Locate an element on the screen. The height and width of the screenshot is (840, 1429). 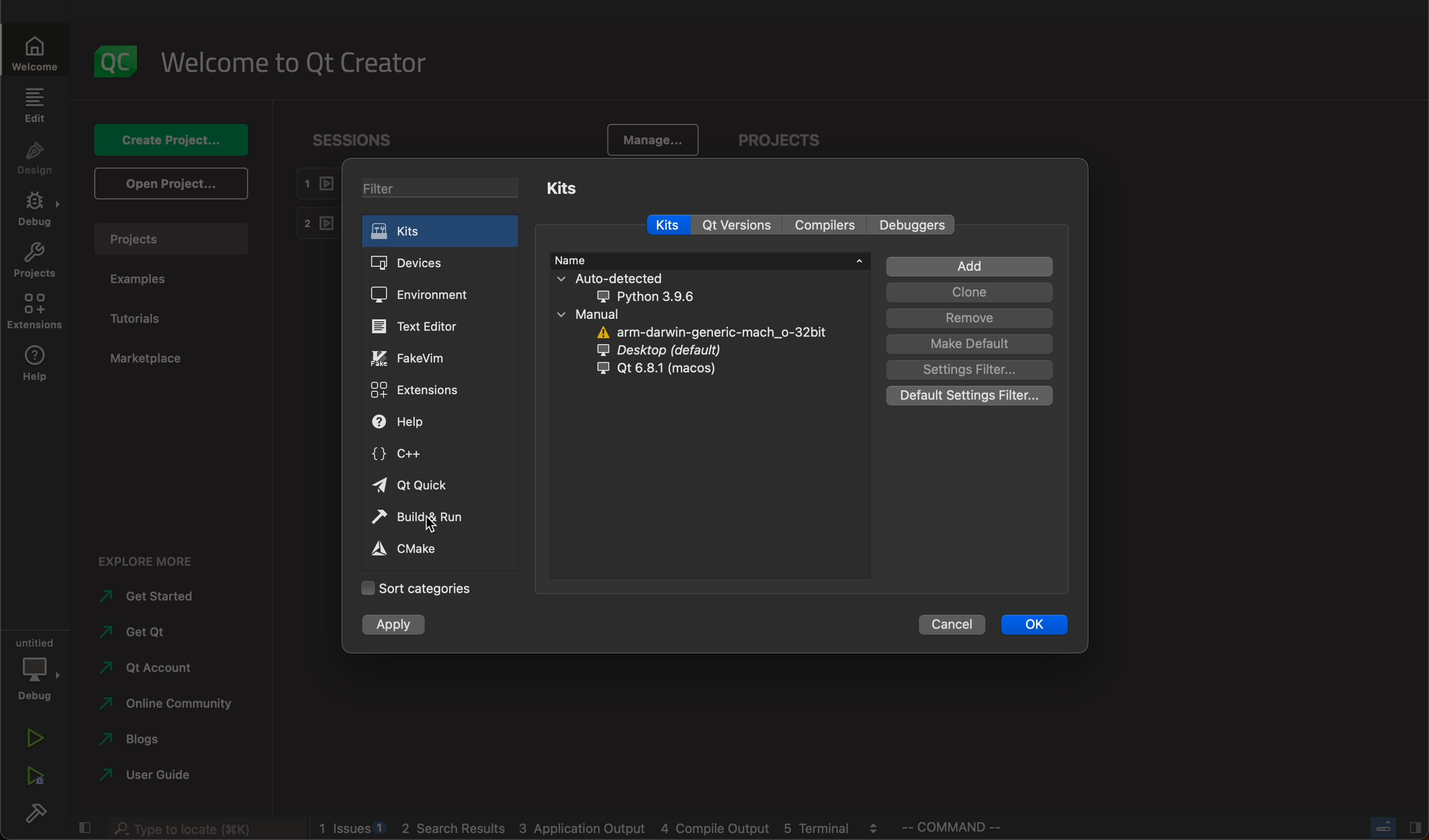
projects is located at coordinates (784, 137).